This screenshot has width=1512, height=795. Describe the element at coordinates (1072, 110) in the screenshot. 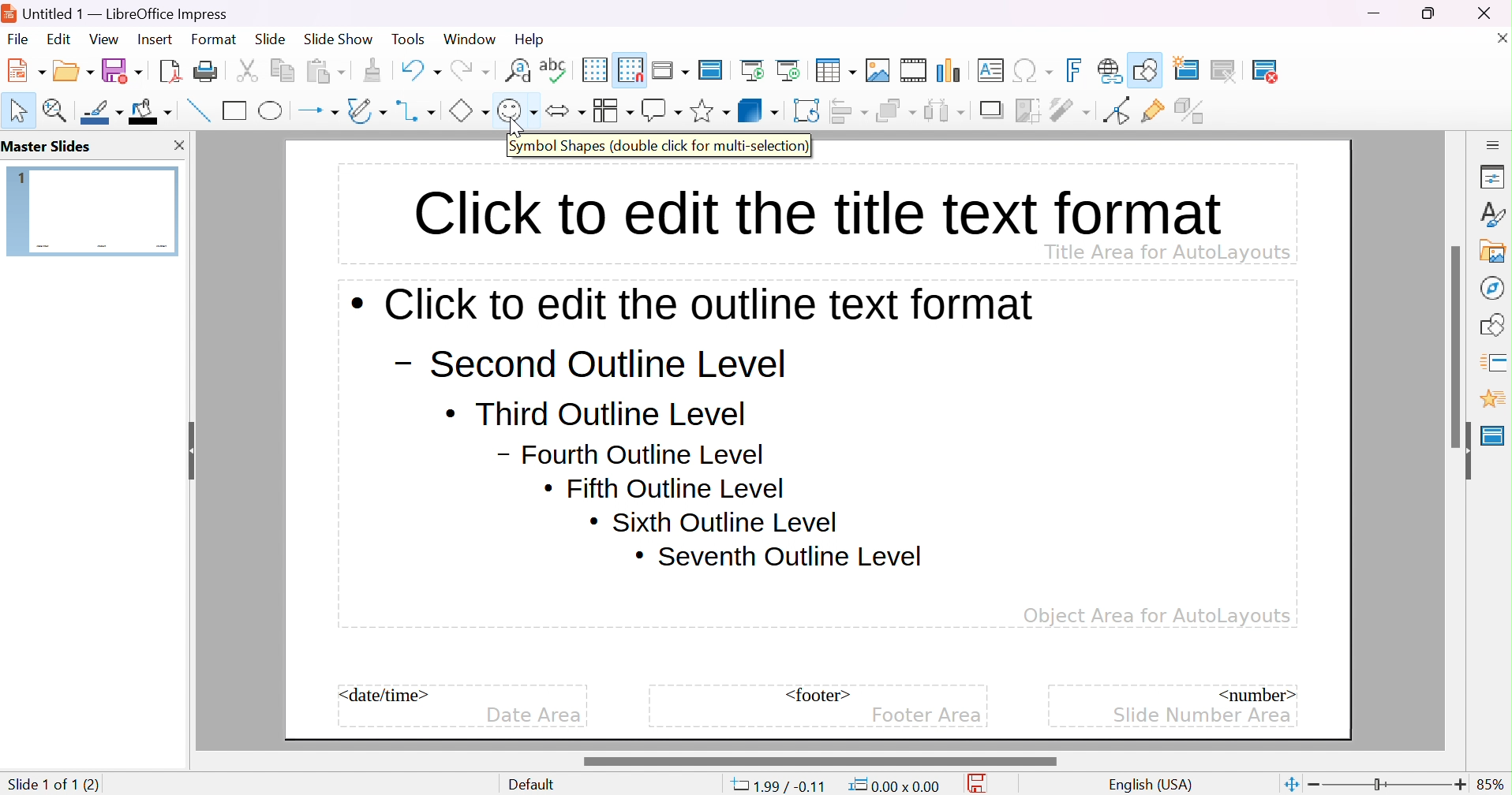

I see `filter` at that location.